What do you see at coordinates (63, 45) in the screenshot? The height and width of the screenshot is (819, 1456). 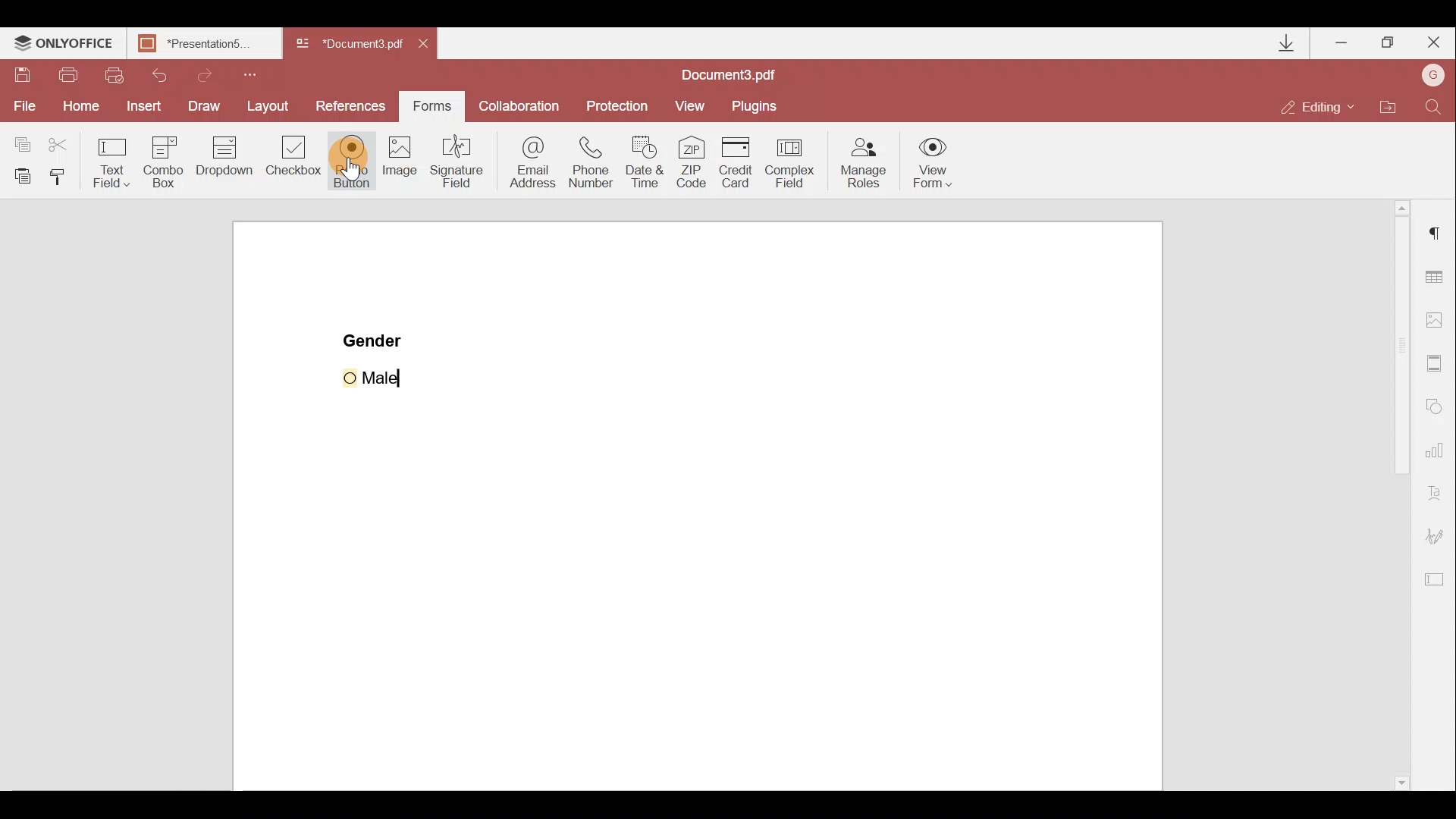 I see `ONLYOFFICE` at bounding box center [63, 45].